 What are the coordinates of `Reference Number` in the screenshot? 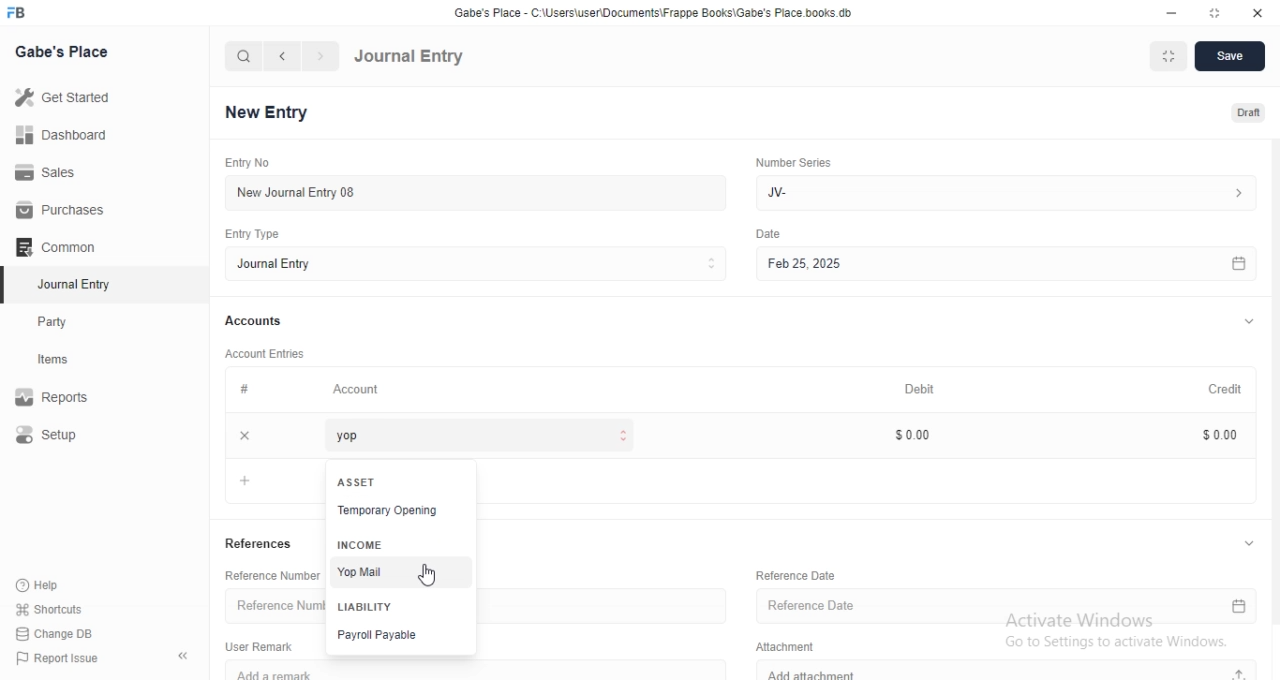 It's located at (272, 574).